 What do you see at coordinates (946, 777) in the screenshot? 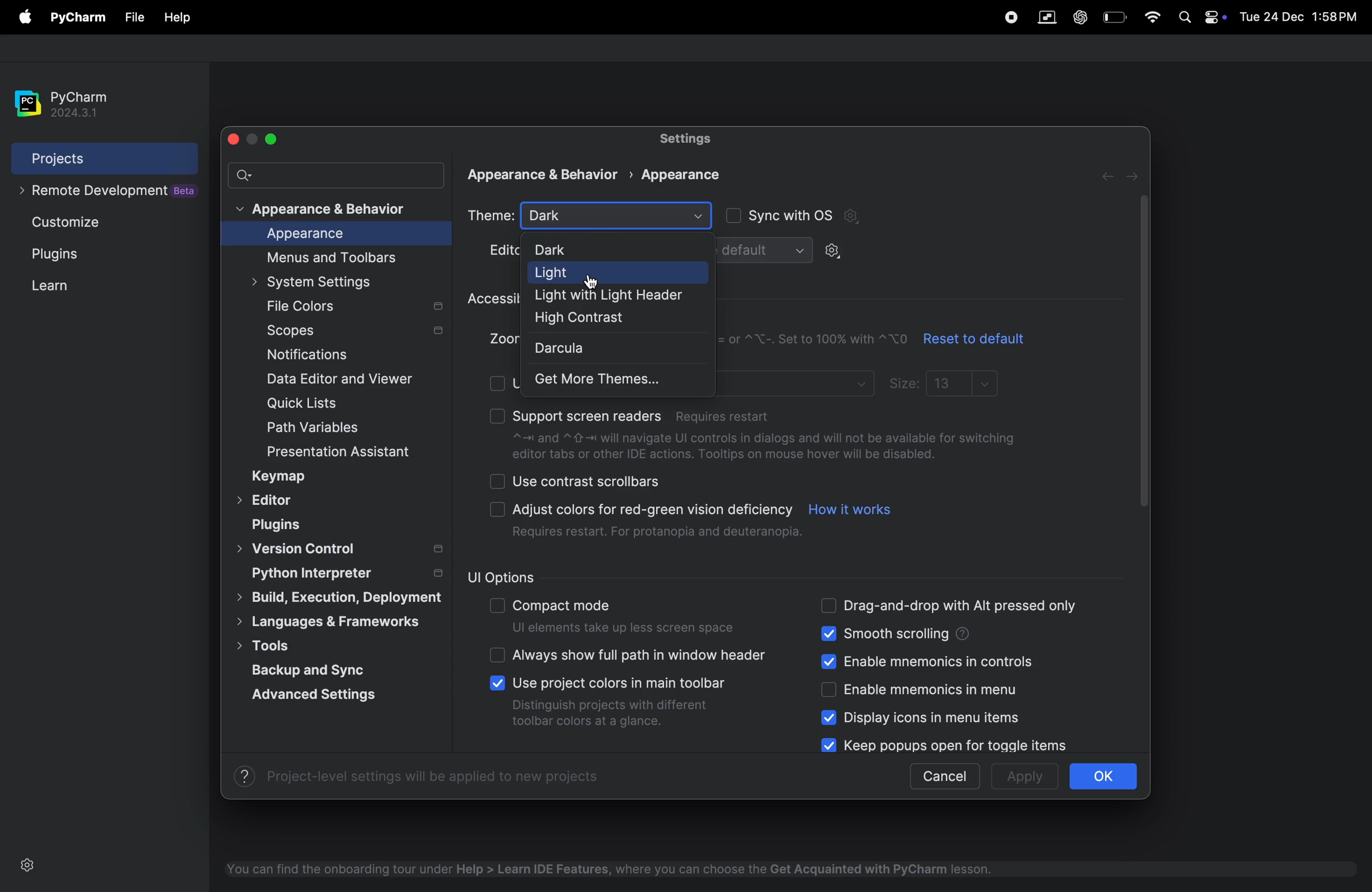
I see `cancel` at bounding box center [946, 777].